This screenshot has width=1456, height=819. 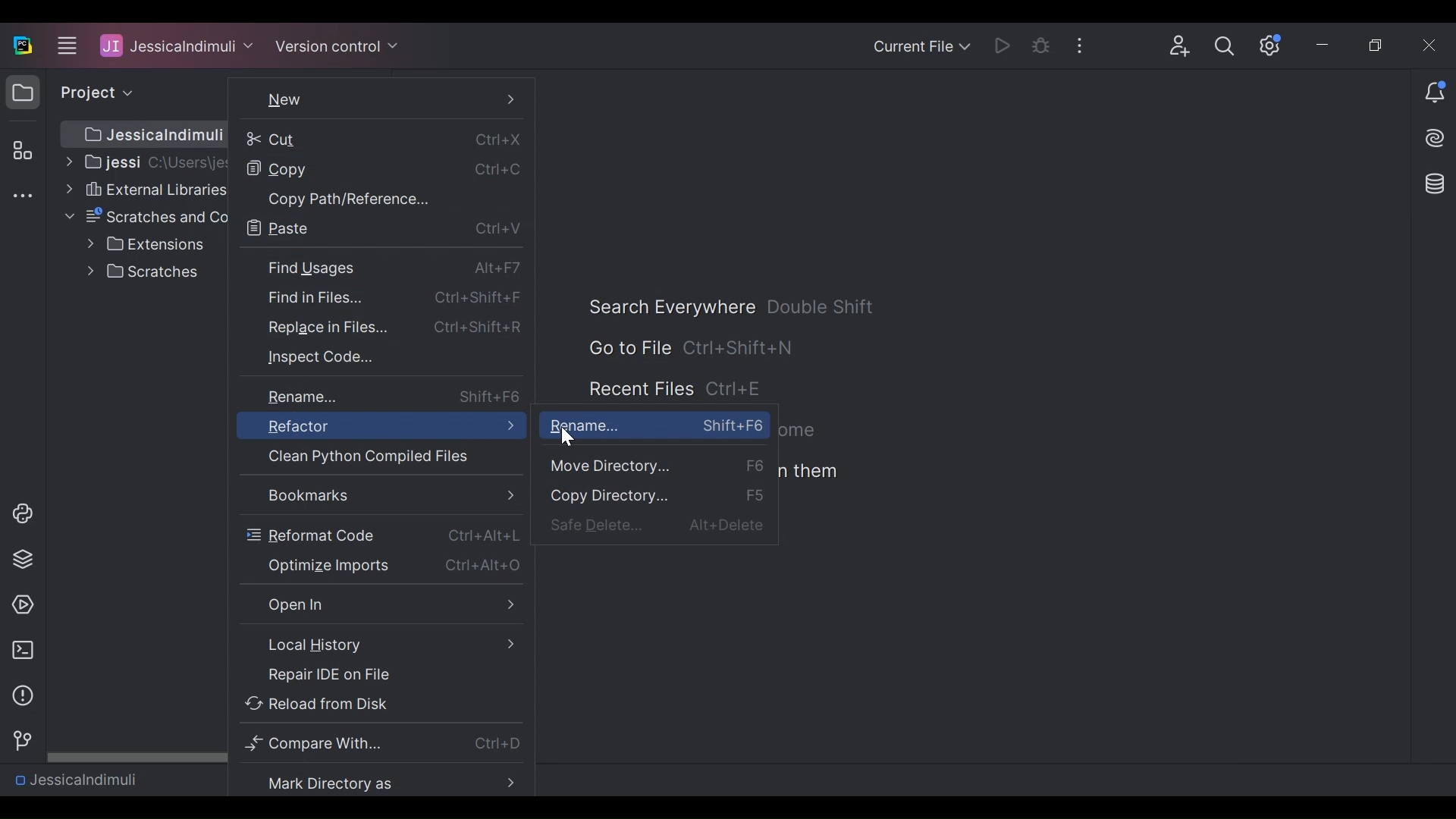 What do you see at coordinates (822, 306) in the screenshot?
I see `shortcut` at bounding box center [822, 306].